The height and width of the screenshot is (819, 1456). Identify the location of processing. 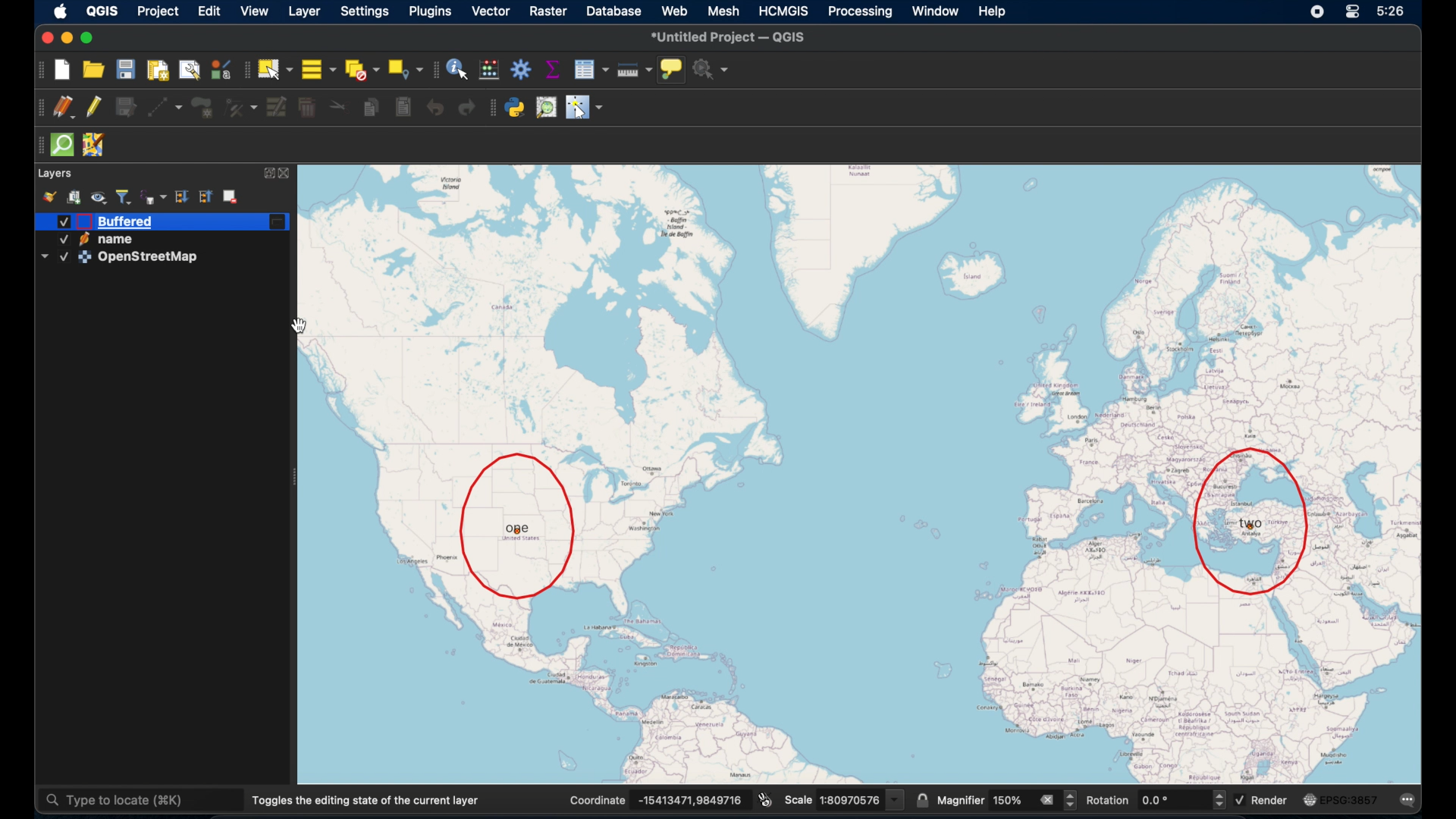
(861, 13).